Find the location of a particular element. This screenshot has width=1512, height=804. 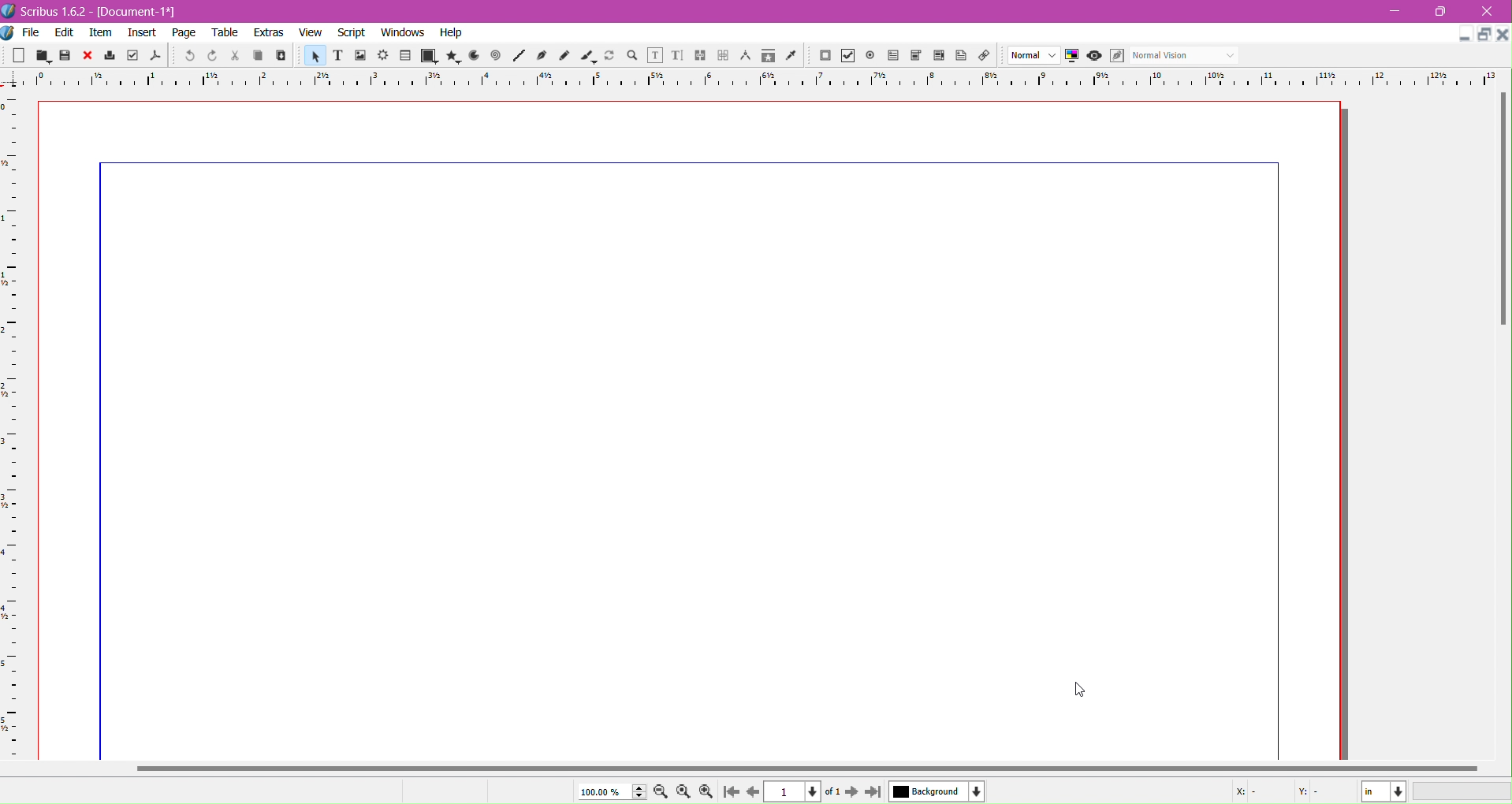

select is located at coordinates (313, 58).